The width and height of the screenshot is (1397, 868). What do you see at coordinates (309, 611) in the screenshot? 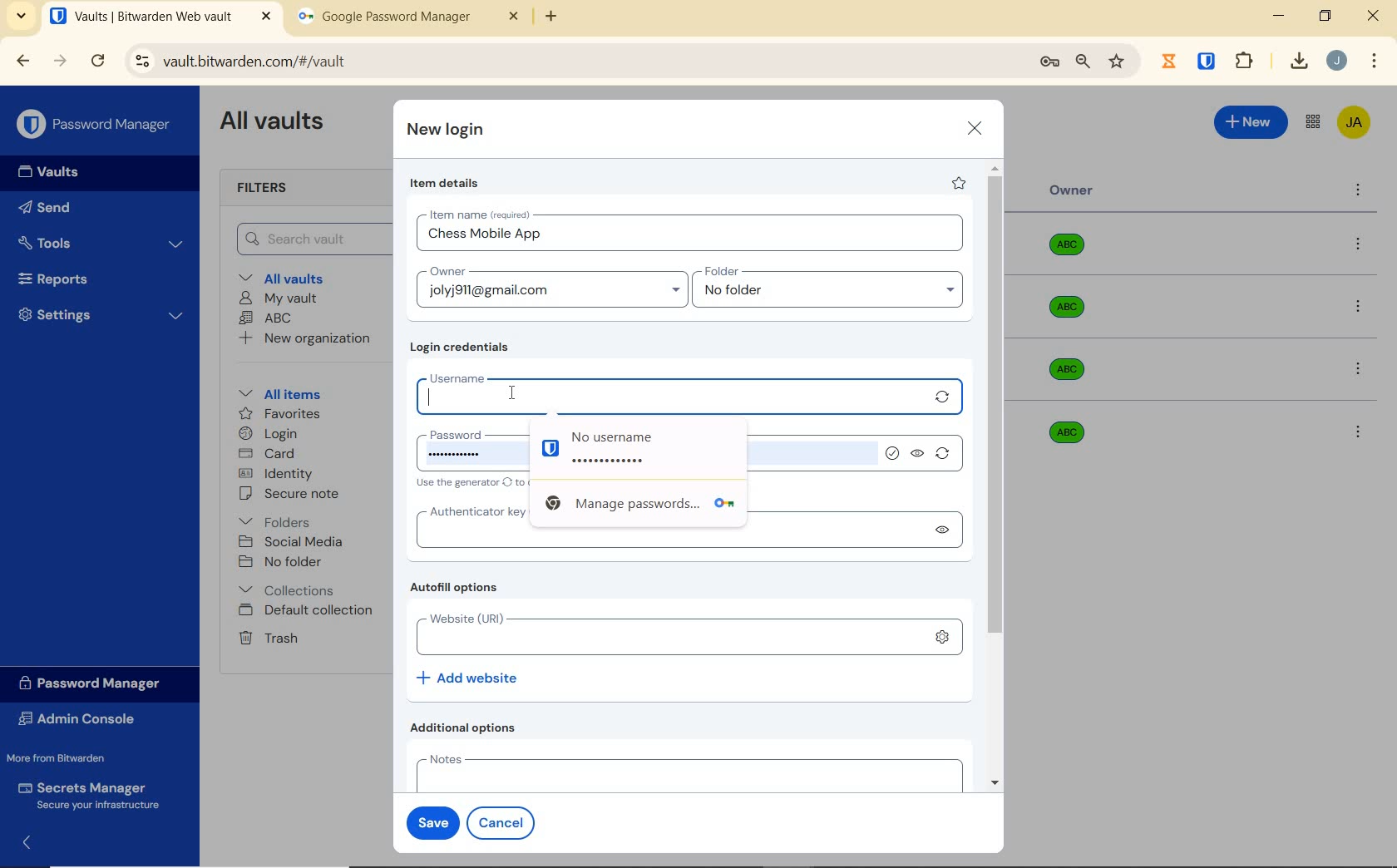
I see `Default collection` at bounding box center [309, 611].